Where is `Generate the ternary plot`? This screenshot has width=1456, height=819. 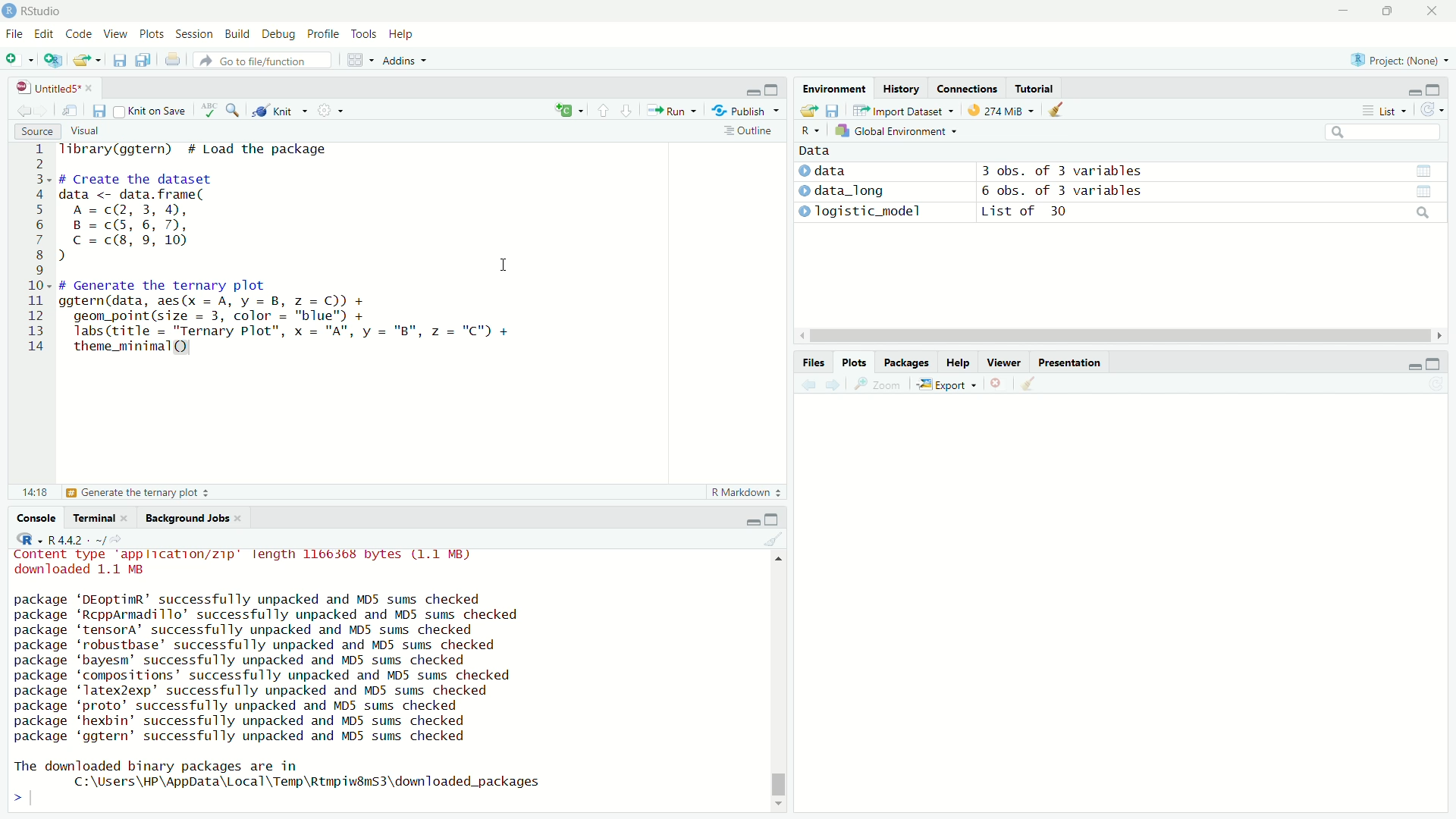
Generate the ternary plot is located at coordinates (139, 493).